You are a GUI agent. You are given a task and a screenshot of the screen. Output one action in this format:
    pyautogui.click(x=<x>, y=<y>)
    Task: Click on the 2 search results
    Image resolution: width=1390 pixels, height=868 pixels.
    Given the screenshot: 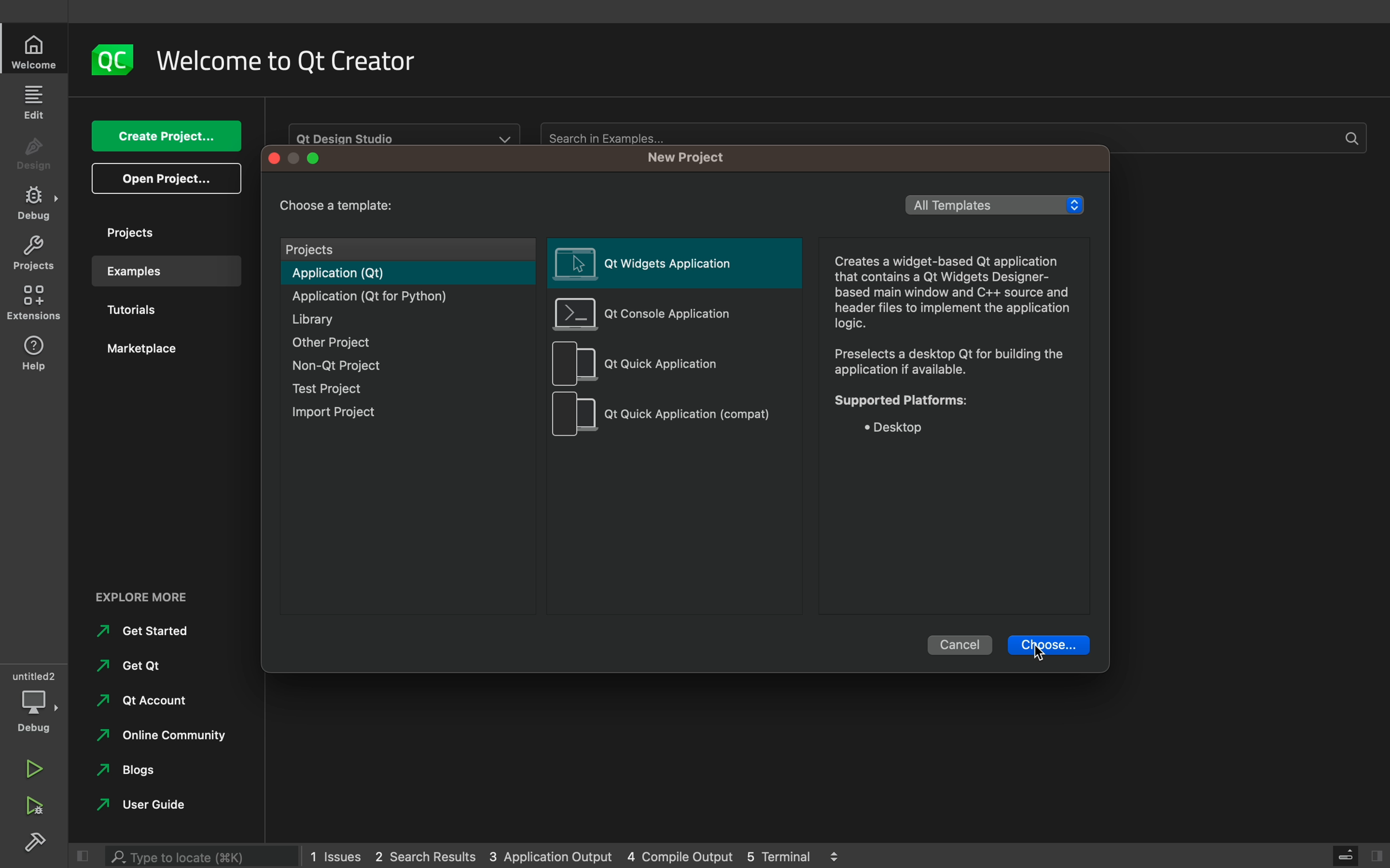 What is the action you would take?
    pyautogui.click(x=428, y=857)
    